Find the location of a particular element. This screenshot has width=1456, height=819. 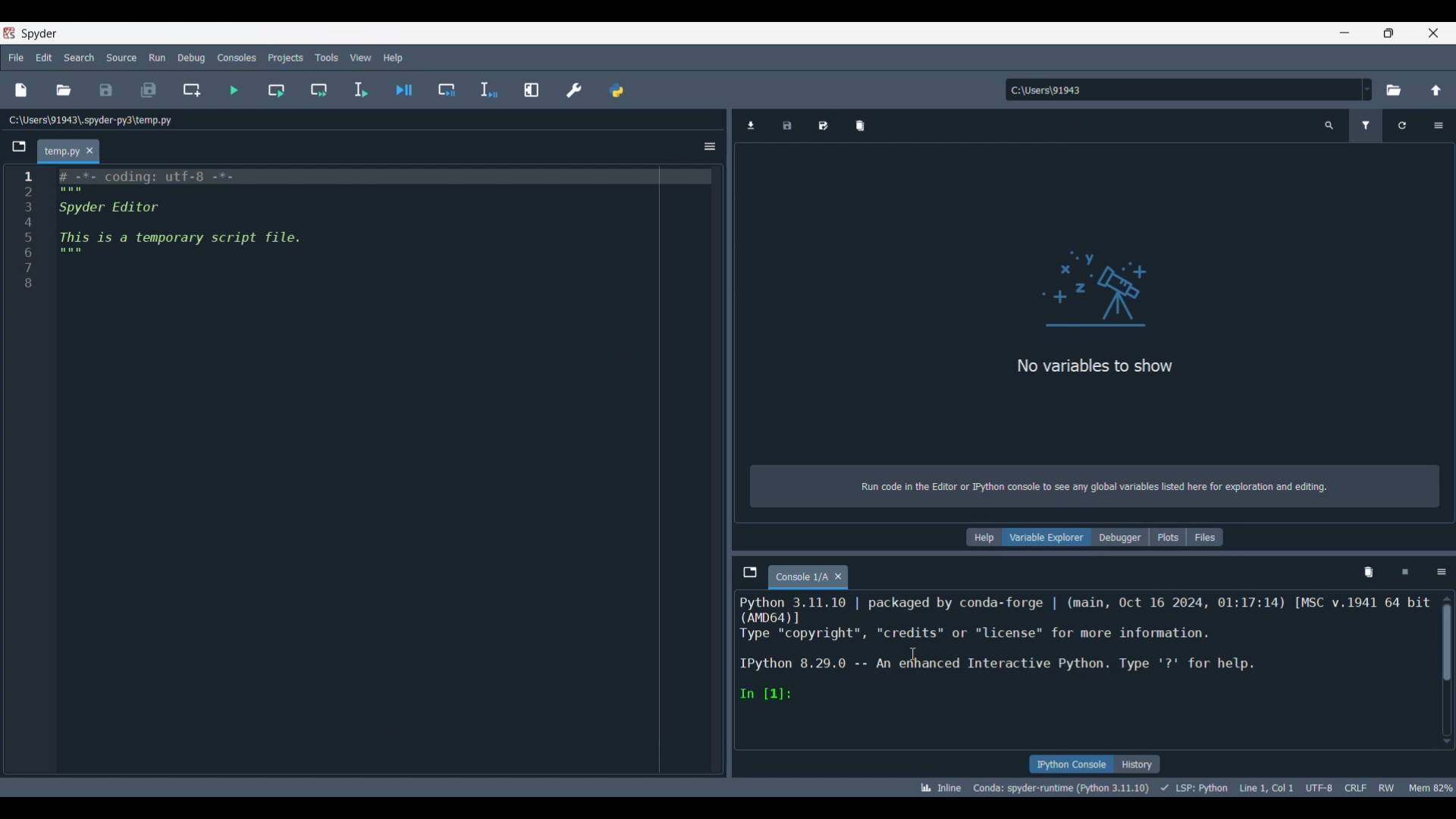

Options is located at coordinates (1439, 126).